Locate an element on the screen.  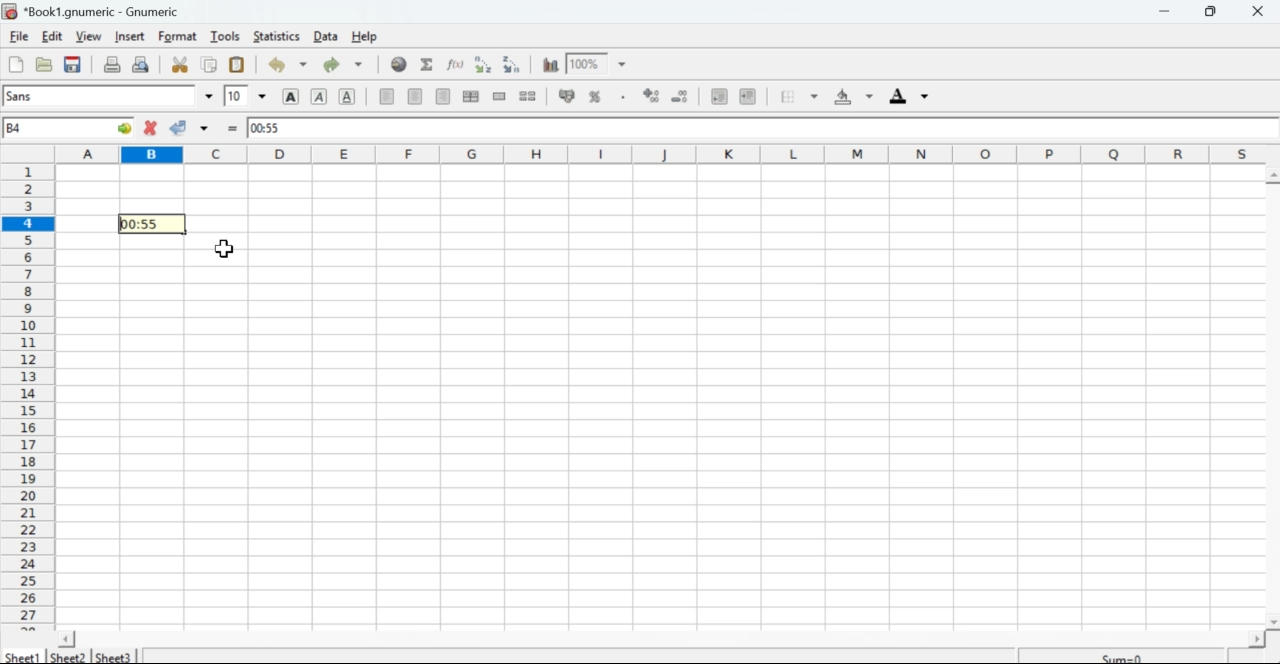
Border is located at coordinates (786, 95).